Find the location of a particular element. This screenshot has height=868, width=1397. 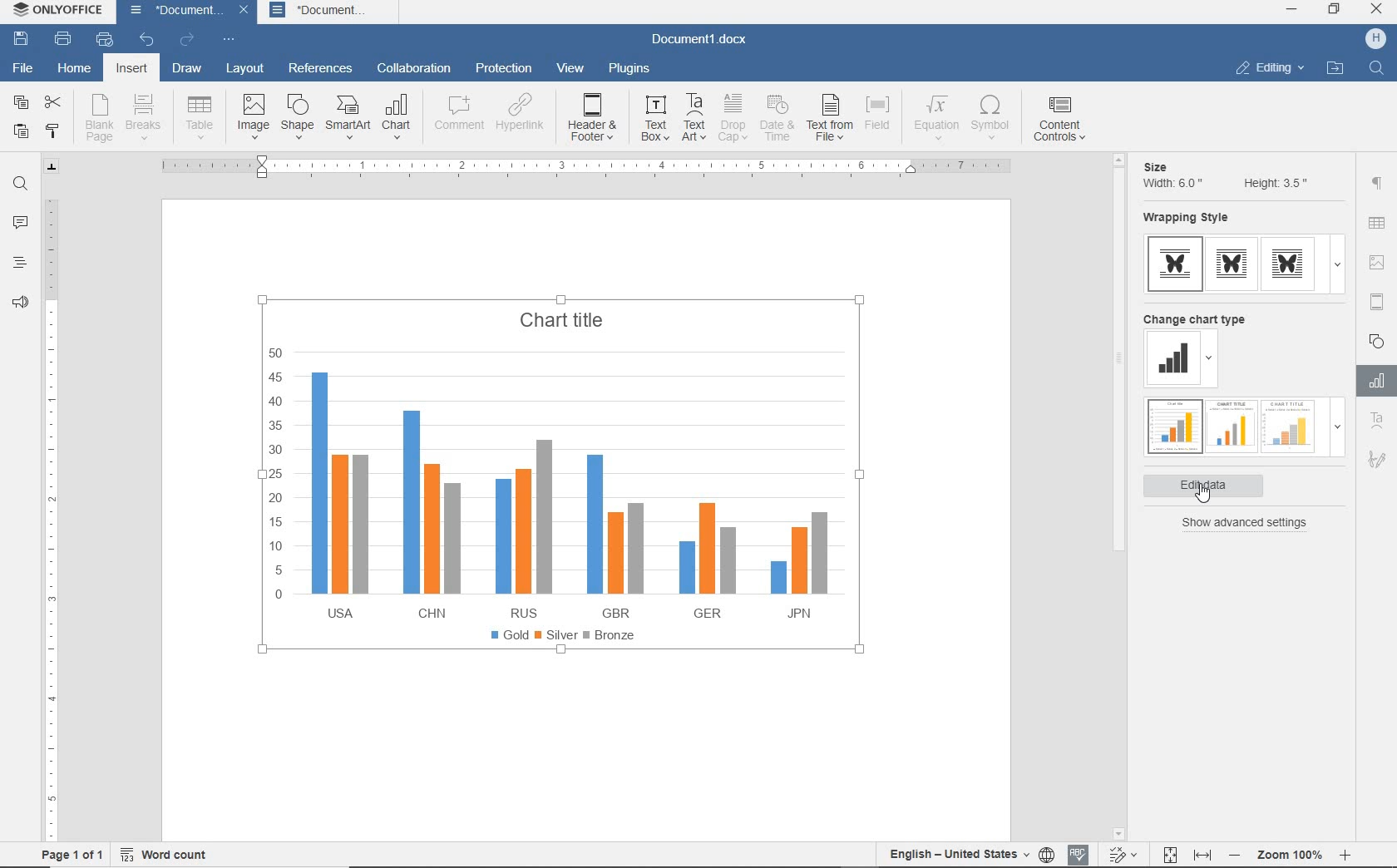

Chart settings is located at coordinates (1374, 381).